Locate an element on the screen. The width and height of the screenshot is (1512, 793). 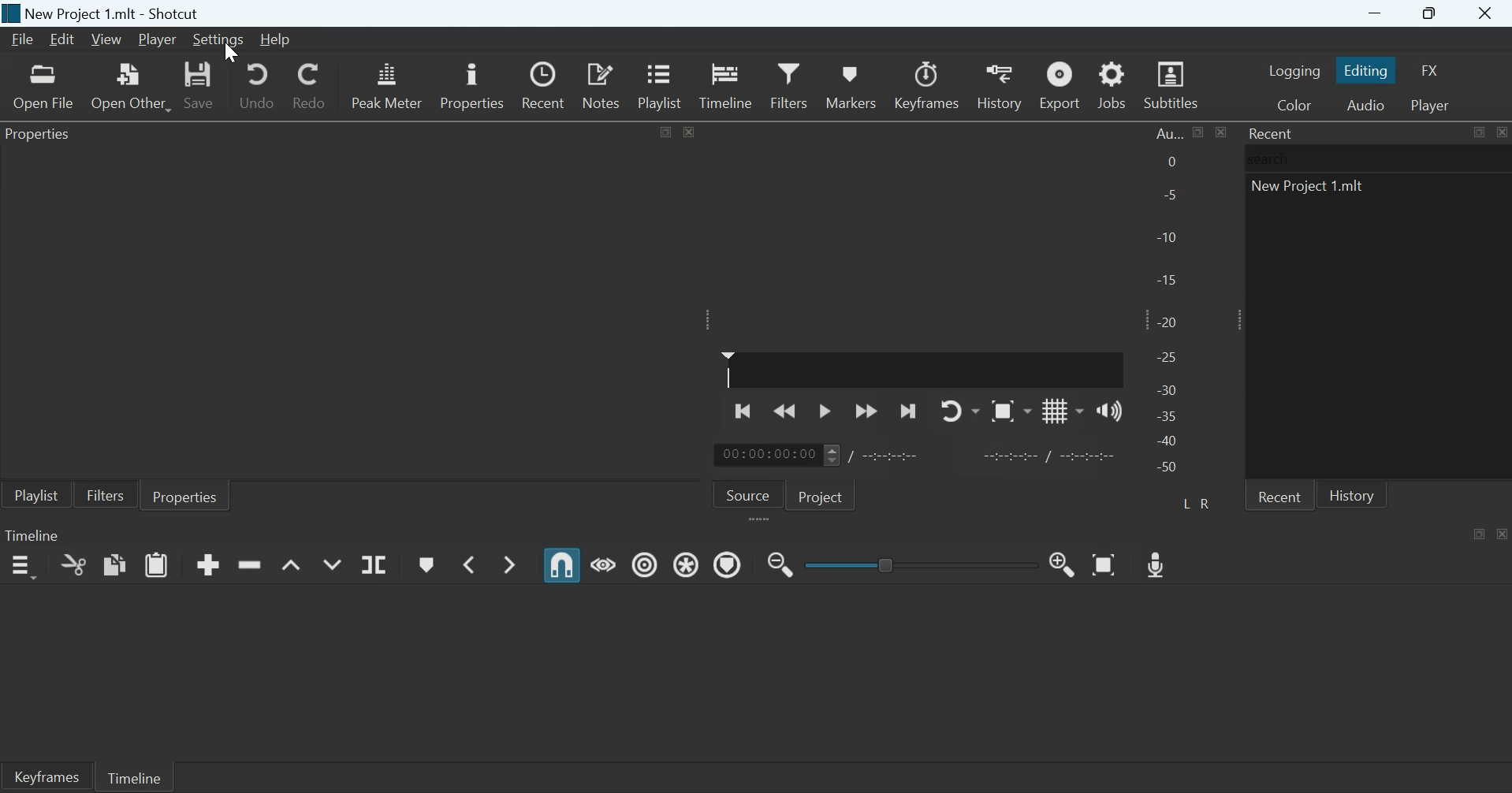
Close is located at coordinates (1503, 533).